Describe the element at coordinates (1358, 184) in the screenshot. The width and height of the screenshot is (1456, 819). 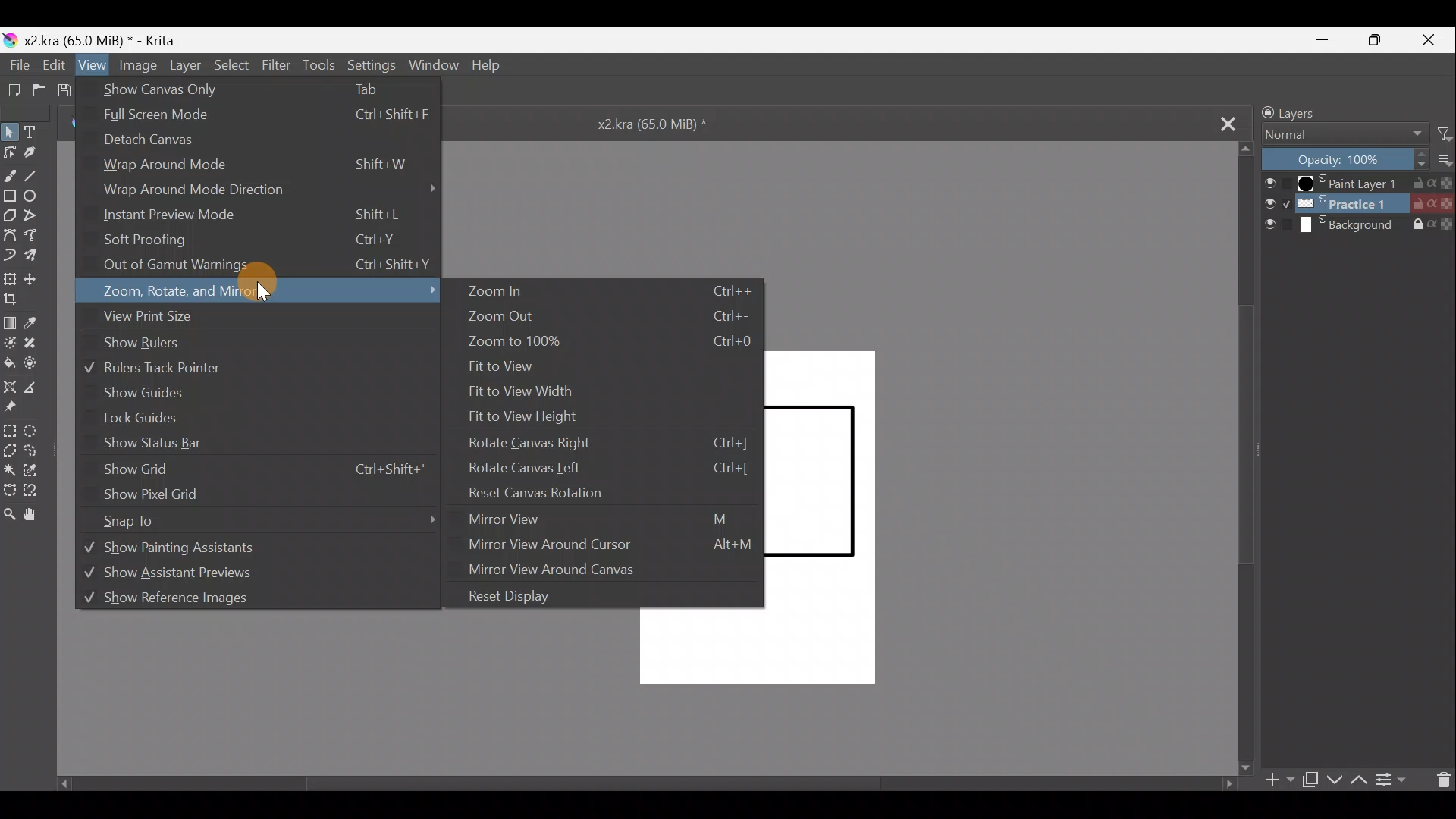
I see `Layer 1` at that location.